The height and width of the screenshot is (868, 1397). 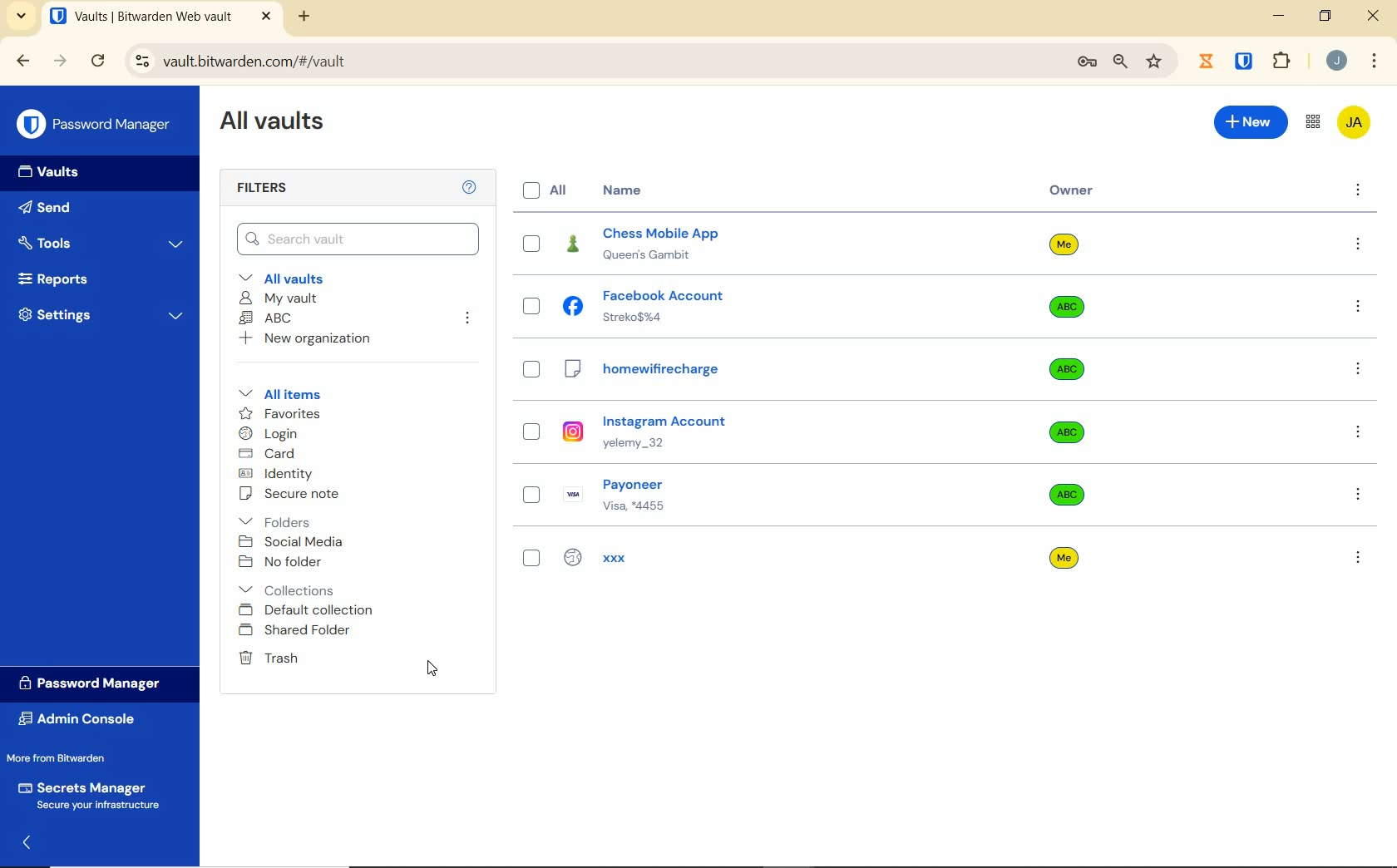 What do you see at coordinates (299, 278) in the screenshot?
I see `All vaults` at bounding box center [299, 278].